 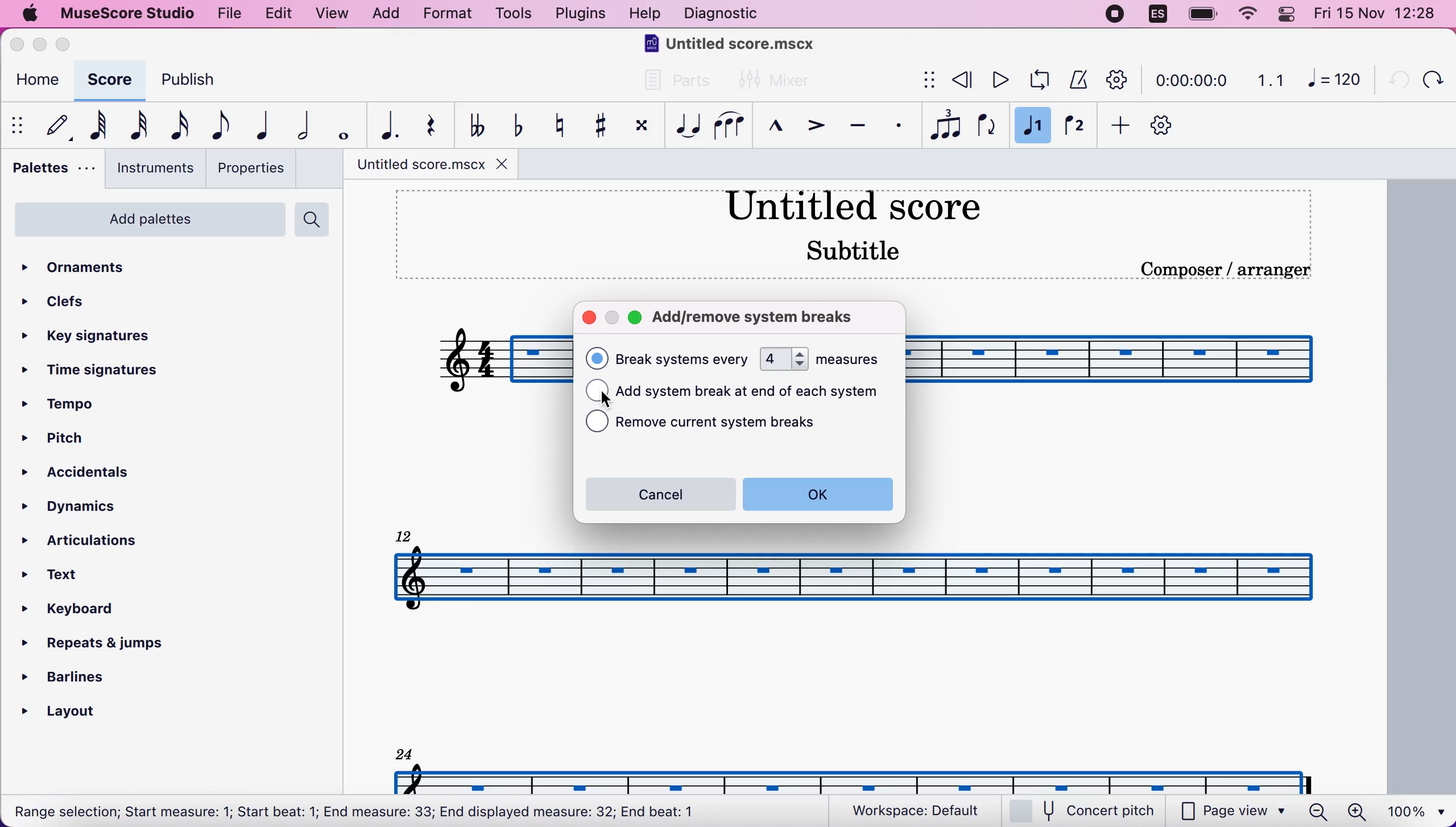 I want to click on text, so click(x=355, y=813).